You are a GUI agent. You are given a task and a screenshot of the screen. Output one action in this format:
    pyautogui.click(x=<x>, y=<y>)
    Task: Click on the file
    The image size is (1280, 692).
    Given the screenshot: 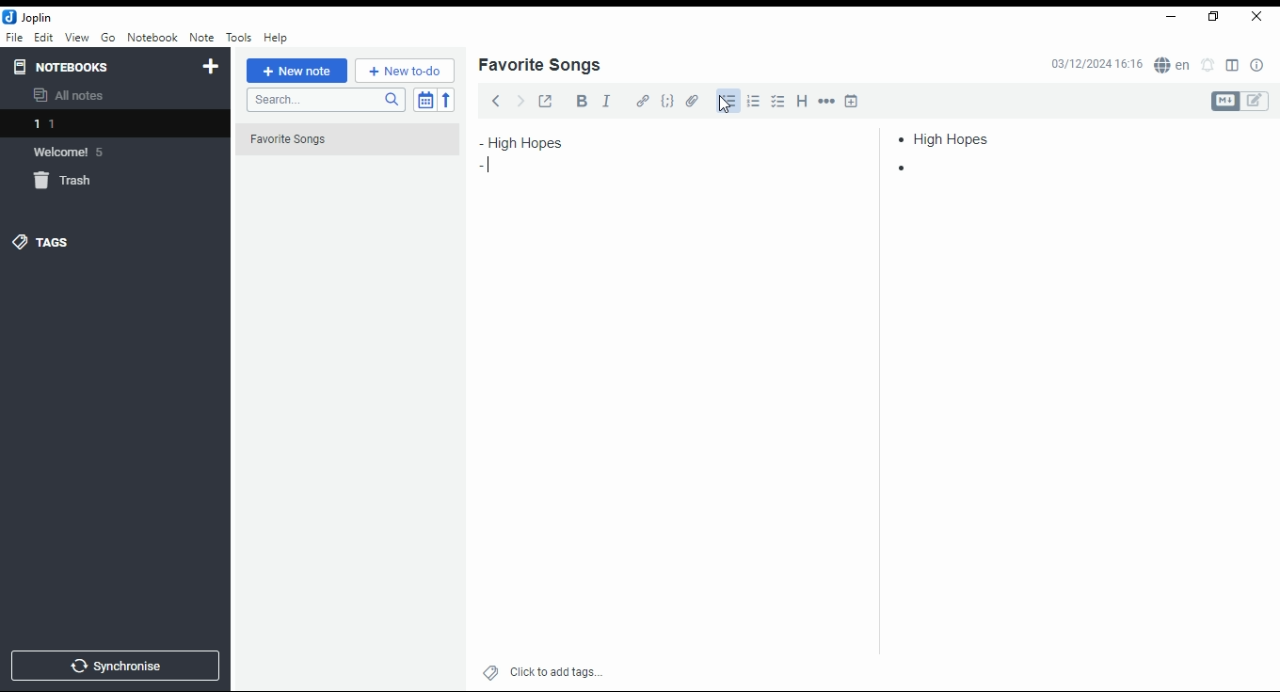 What is the action you would take?
    pyautogui.click(x=14, y=36)
    